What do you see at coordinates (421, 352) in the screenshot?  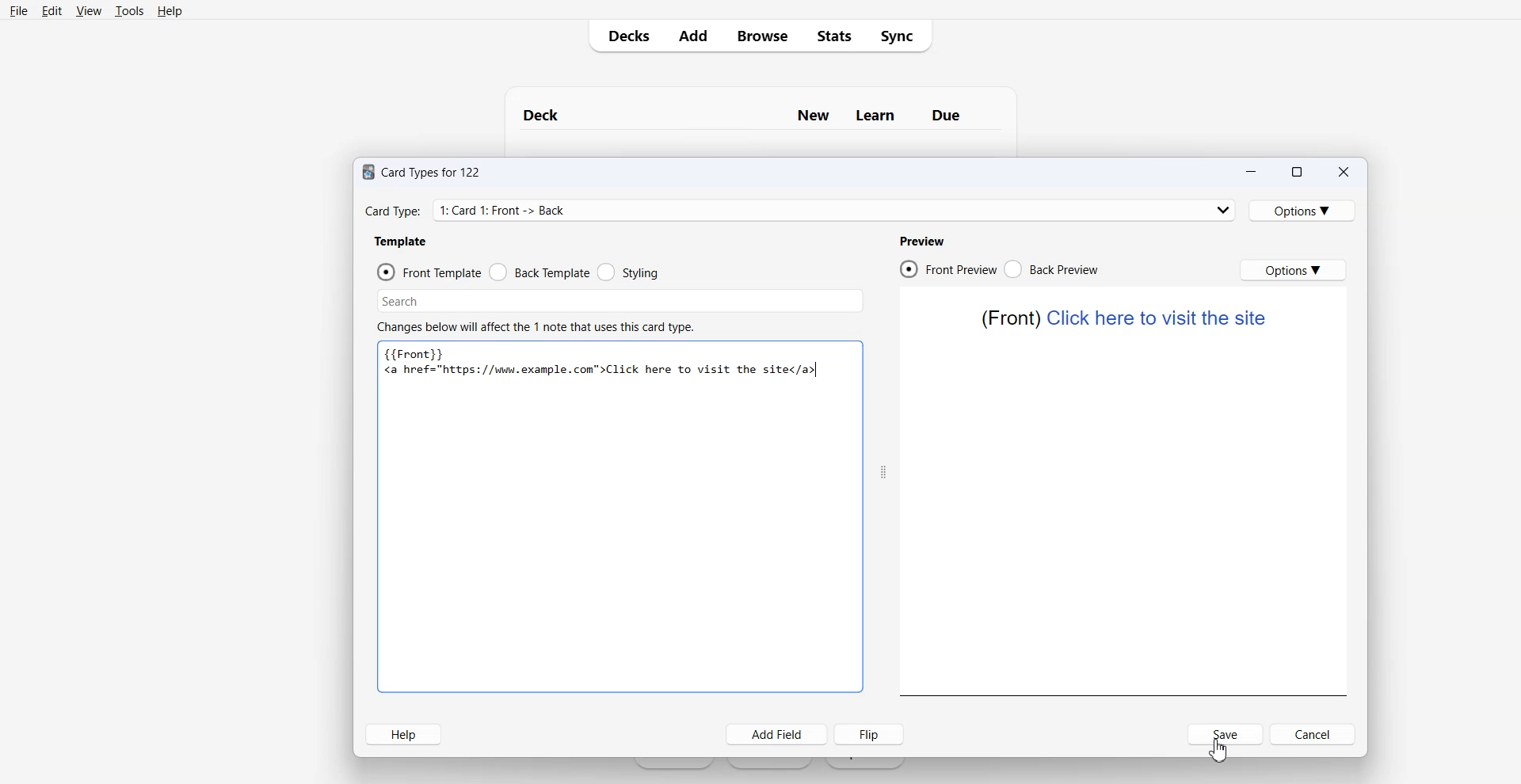 I see `Text 2` at bounding box center [421, 352].